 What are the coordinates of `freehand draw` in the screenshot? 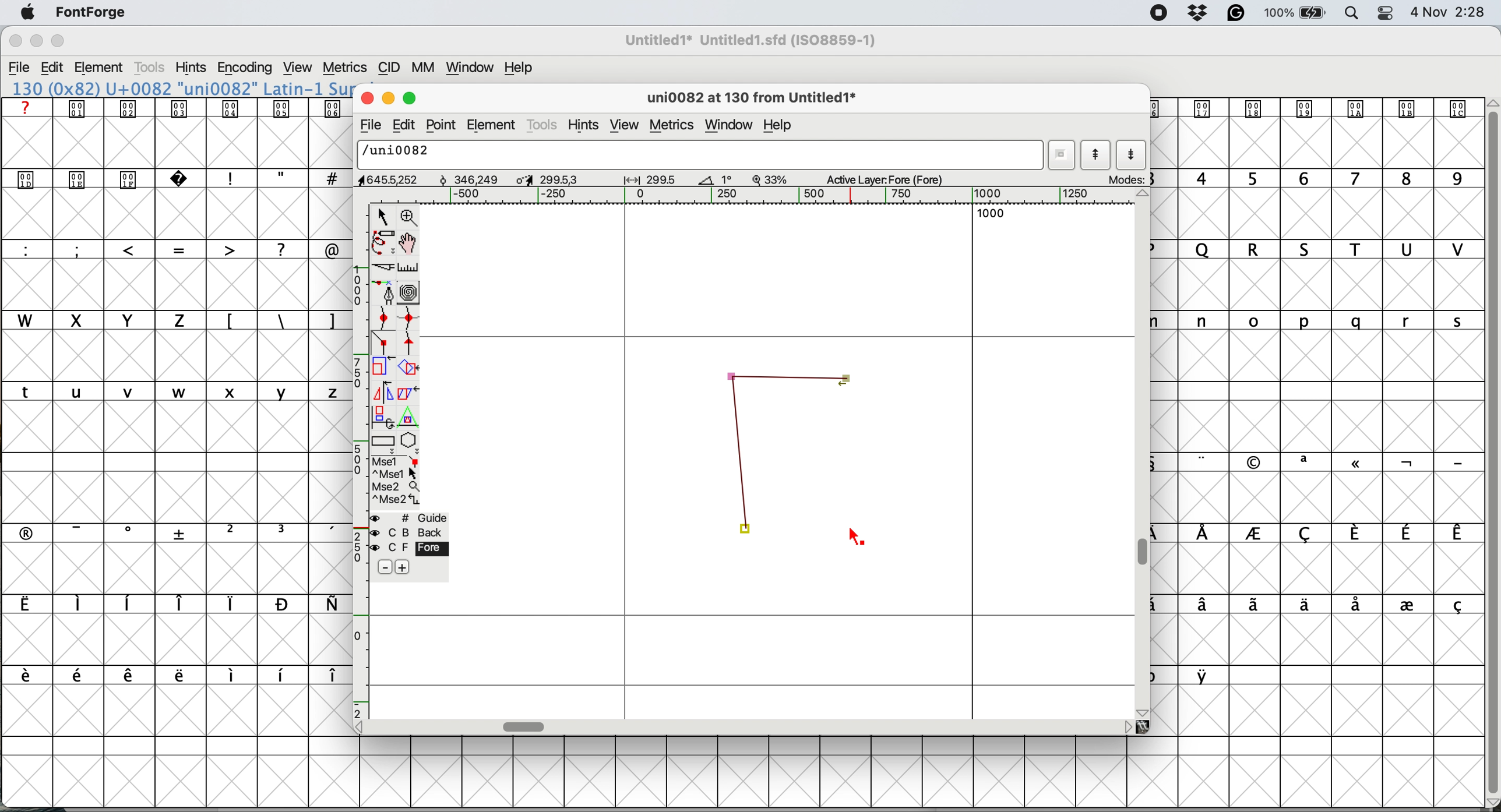 It's located at (385, 243).